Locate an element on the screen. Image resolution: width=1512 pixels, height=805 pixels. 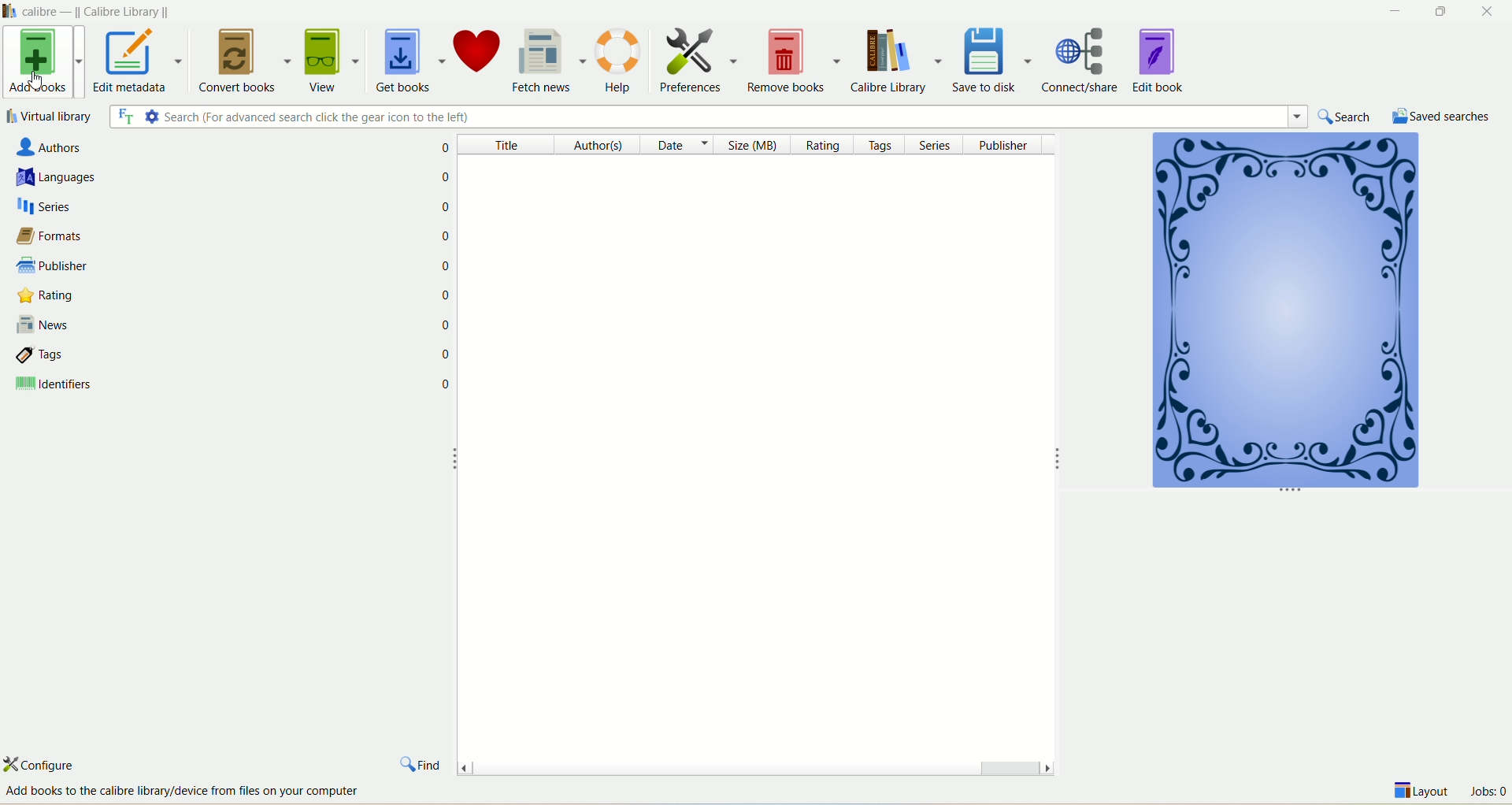
add books is located at coordinates (42, 63).